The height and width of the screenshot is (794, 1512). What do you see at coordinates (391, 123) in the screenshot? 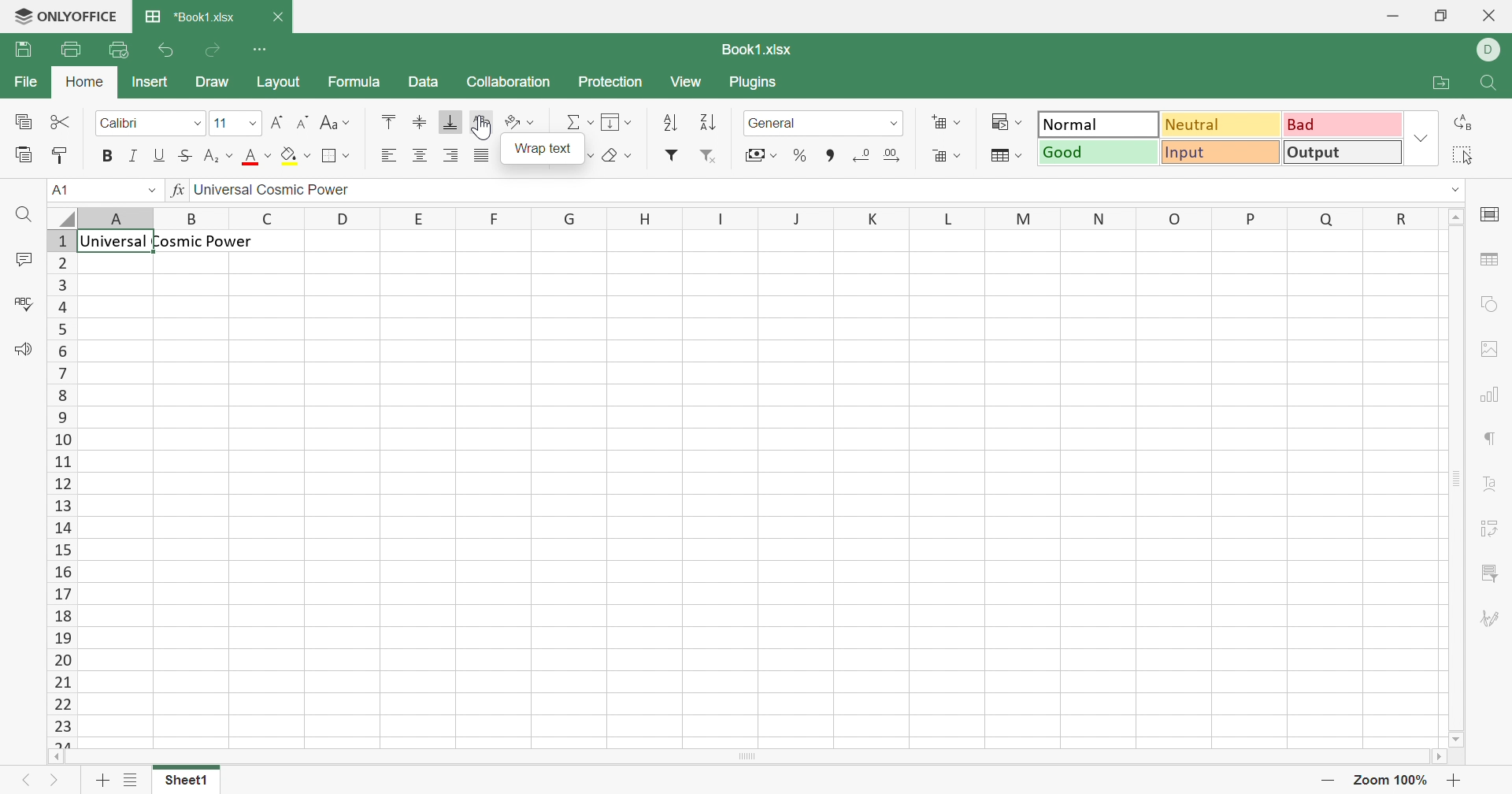
I see `Align Top` at bounding box center [391, 123].